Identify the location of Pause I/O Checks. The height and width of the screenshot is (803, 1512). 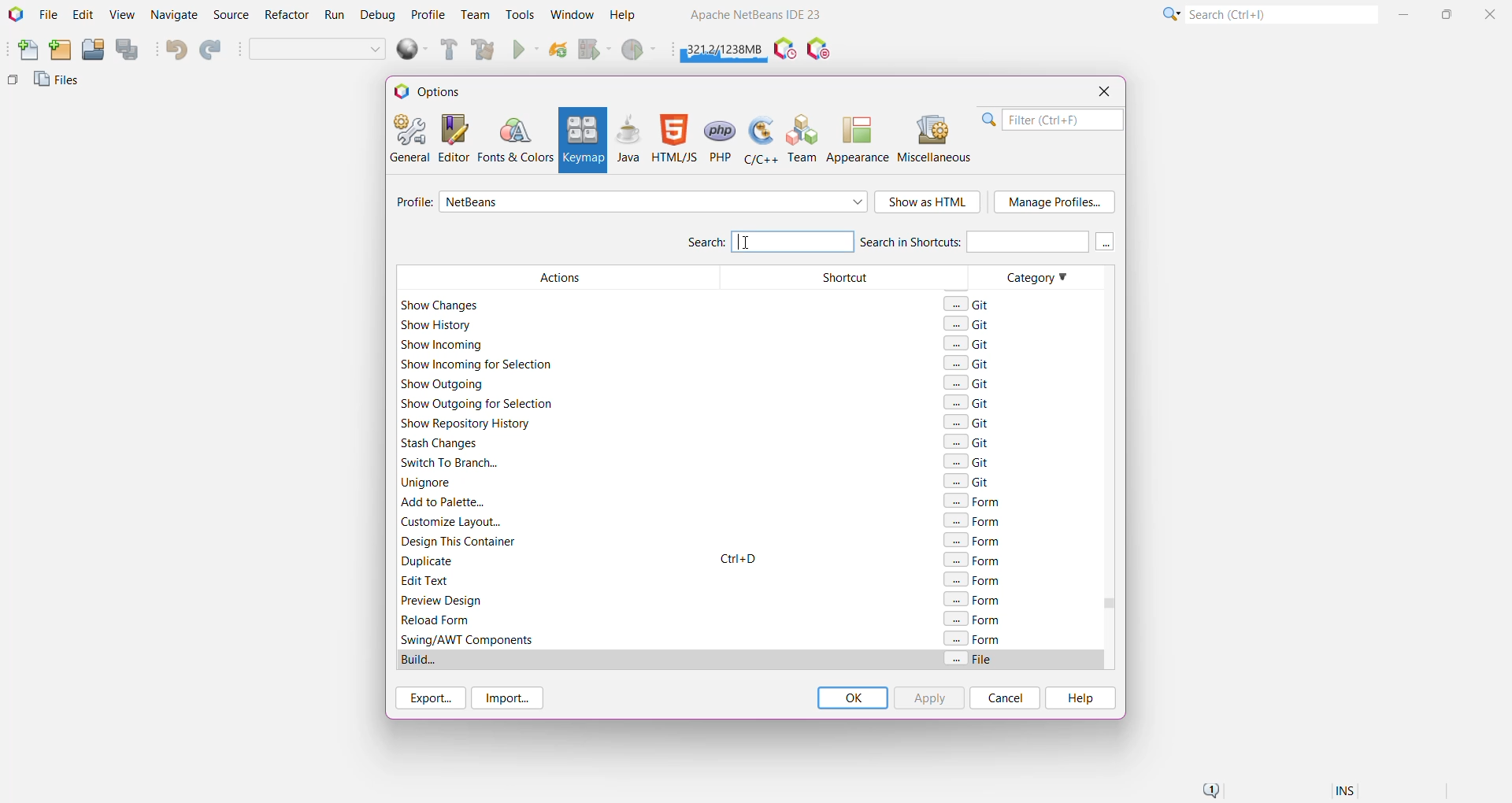
(820, 50).